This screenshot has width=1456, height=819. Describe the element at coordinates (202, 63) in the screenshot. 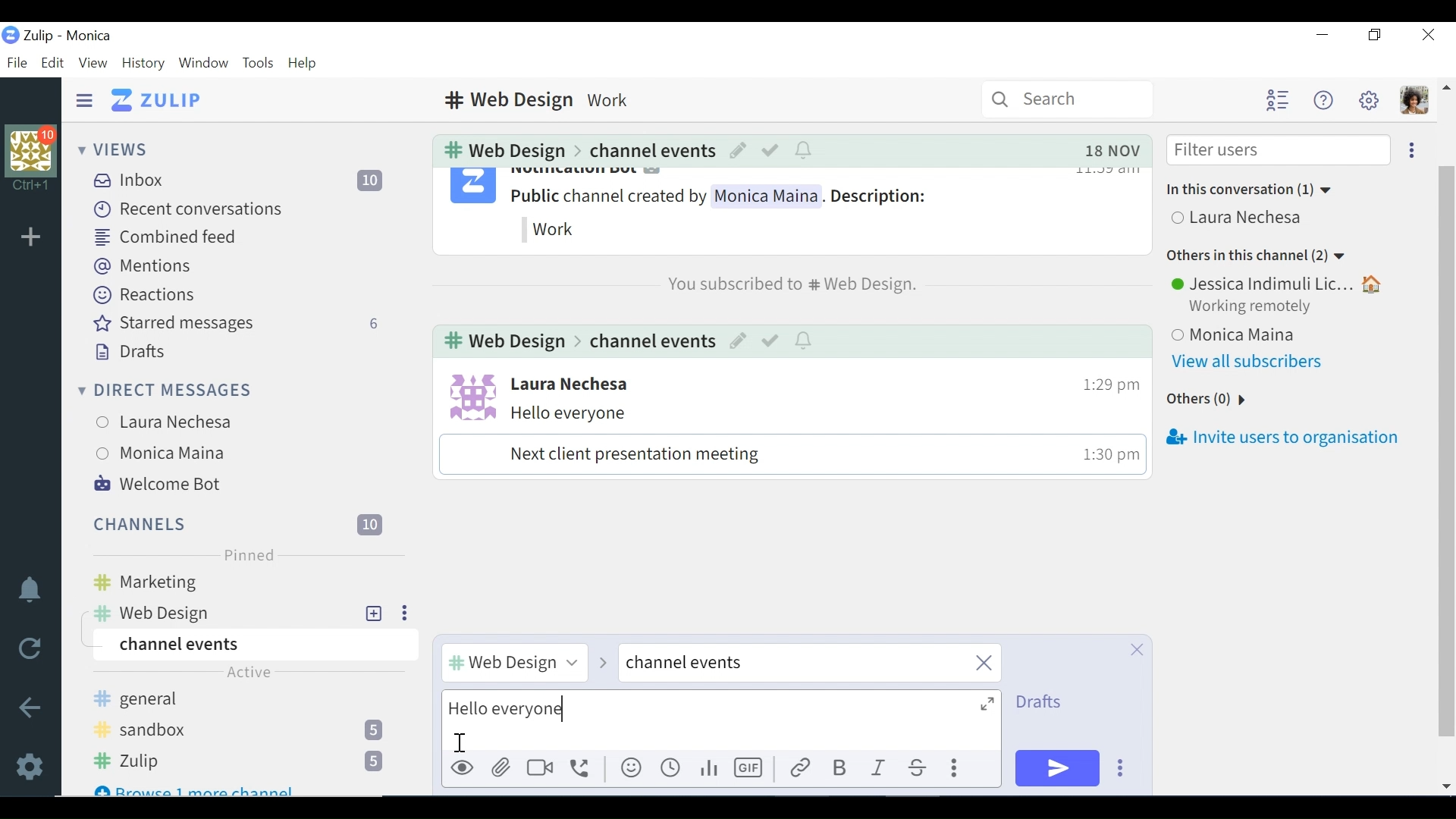

I see `Window` at that location.